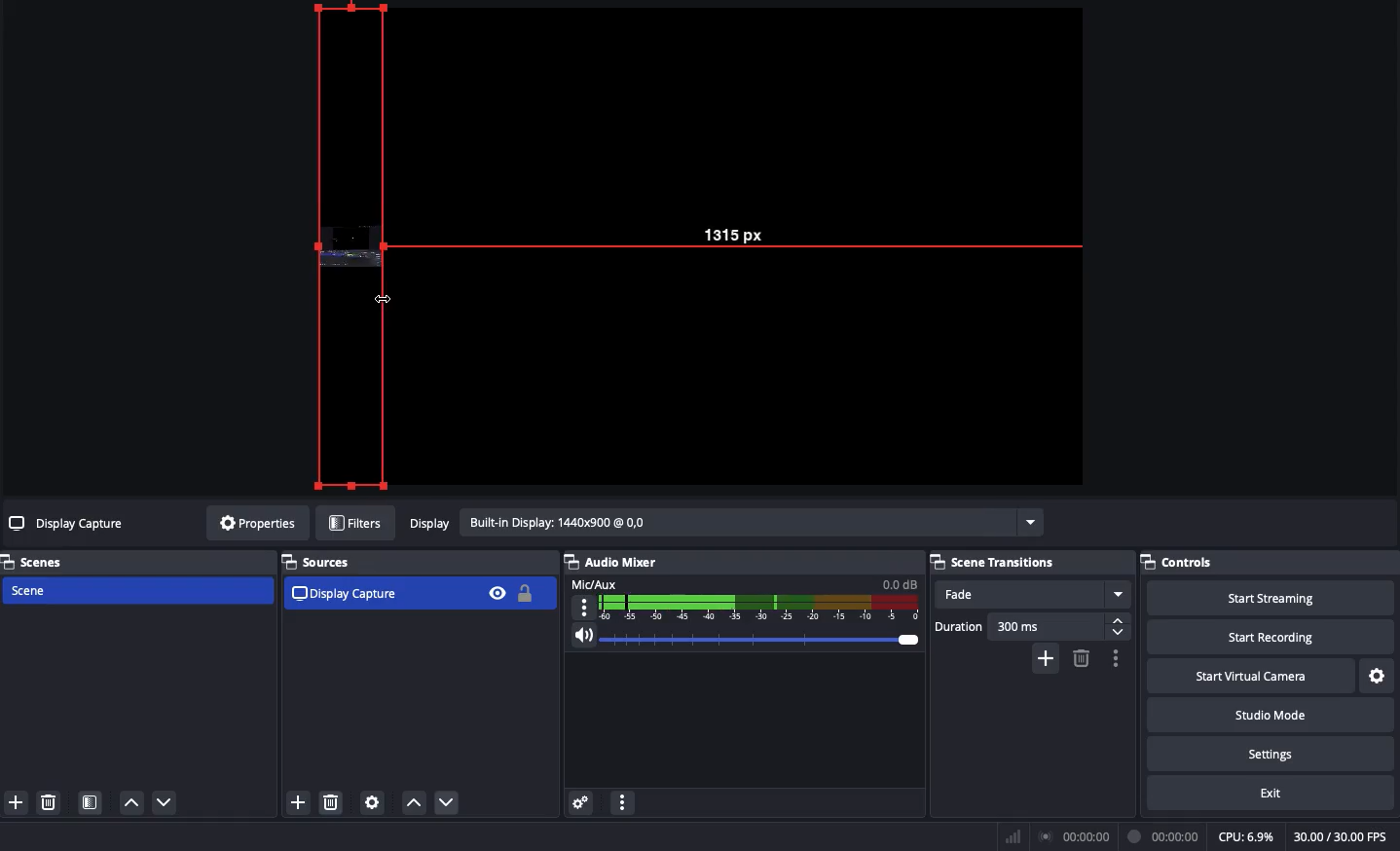  Describe the element at coordinates (1164, 836) in the screenshot. I see `Recording ` at that location.